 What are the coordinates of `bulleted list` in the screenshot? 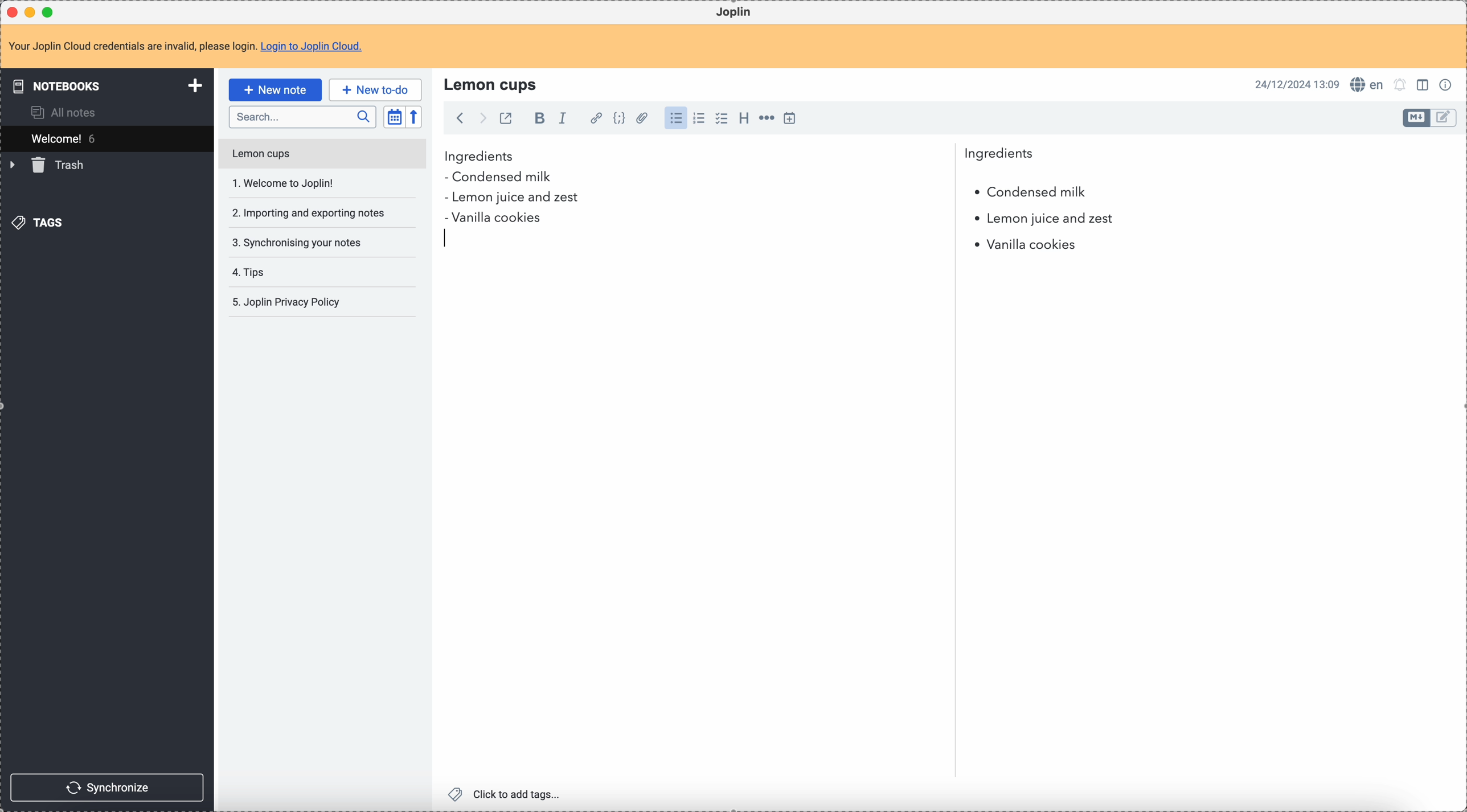 It's located at (674, 118).